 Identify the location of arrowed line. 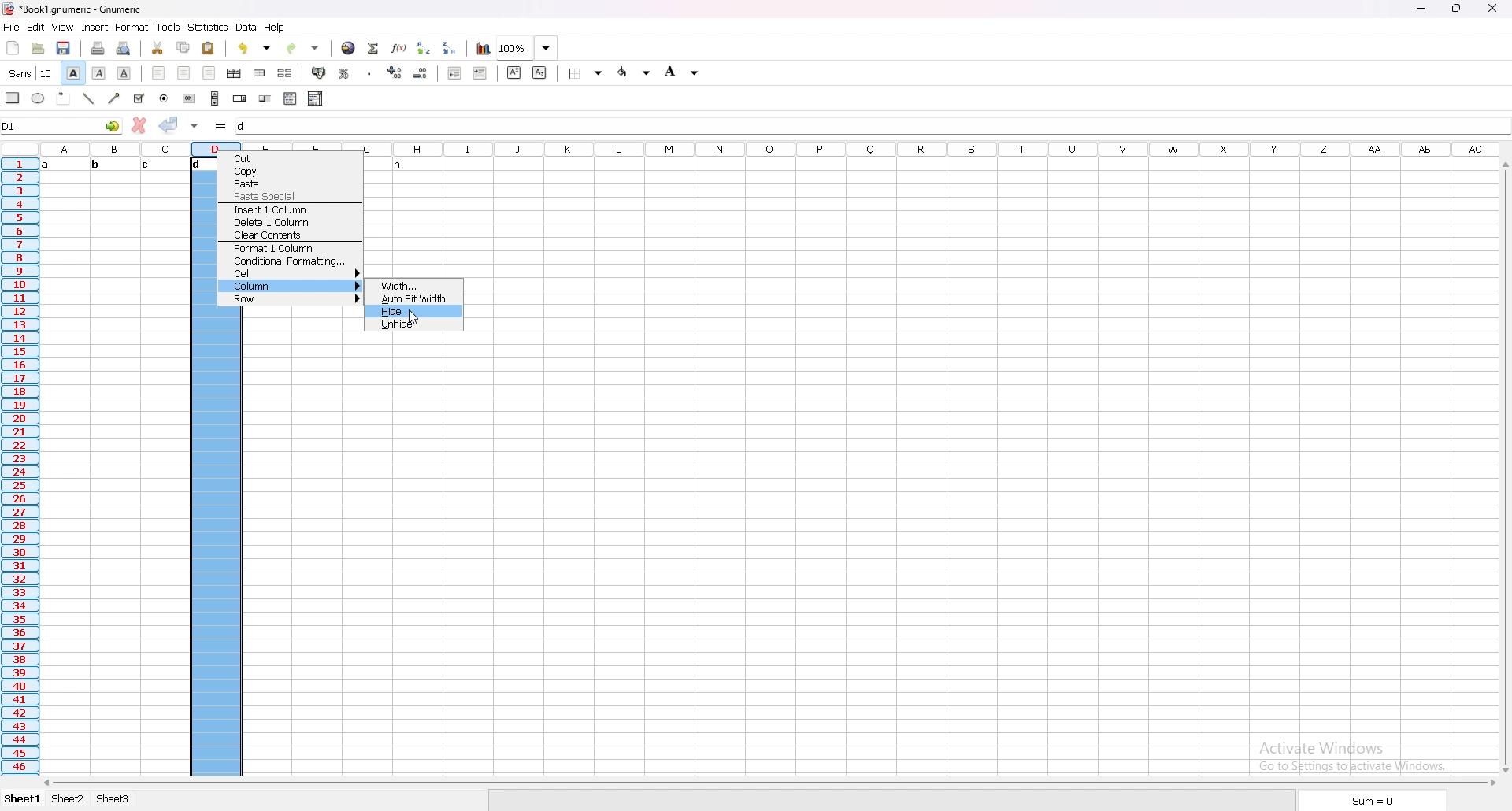
(114, 99).